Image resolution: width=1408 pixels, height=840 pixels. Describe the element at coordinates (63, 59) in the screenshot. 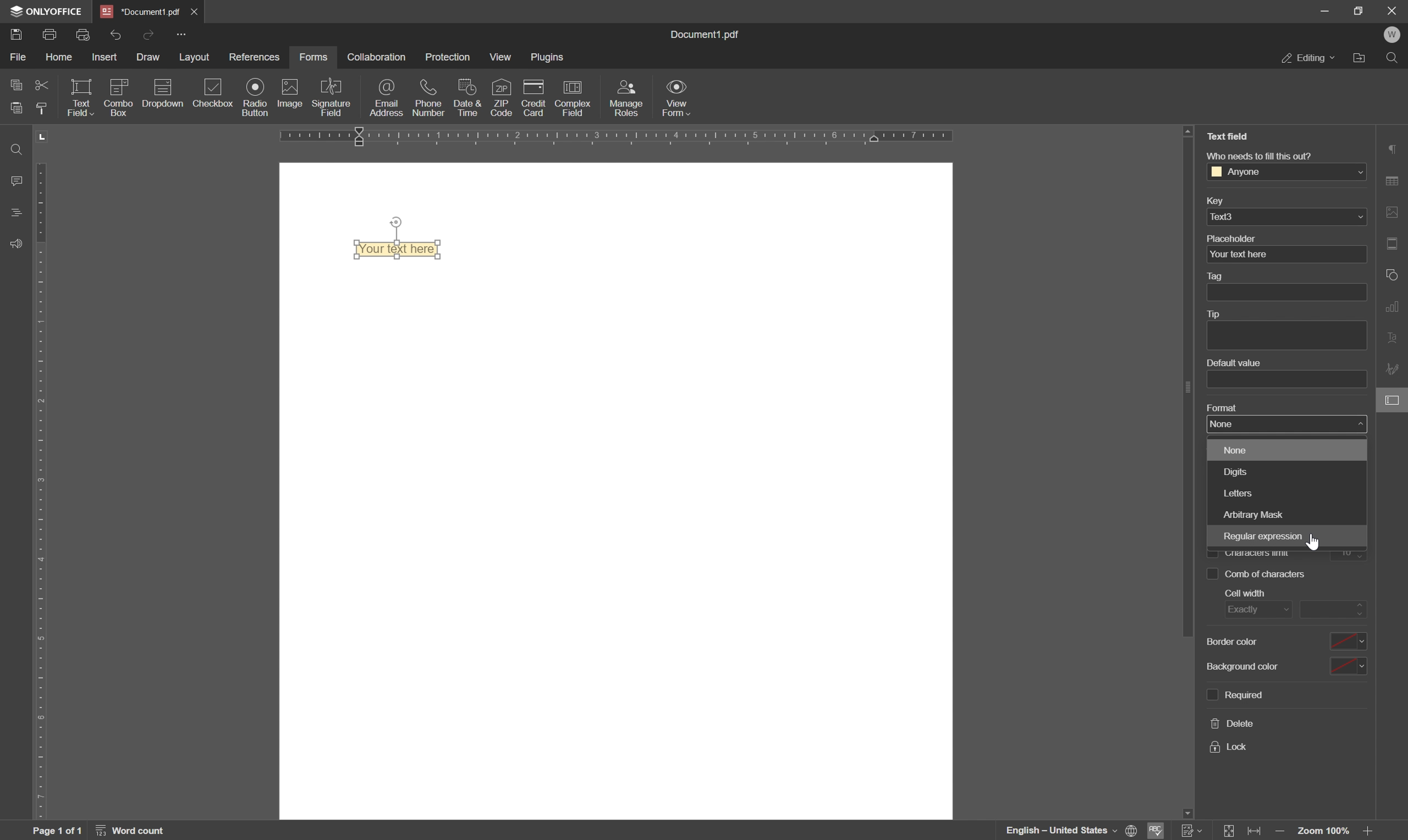

I see `home` at that location.